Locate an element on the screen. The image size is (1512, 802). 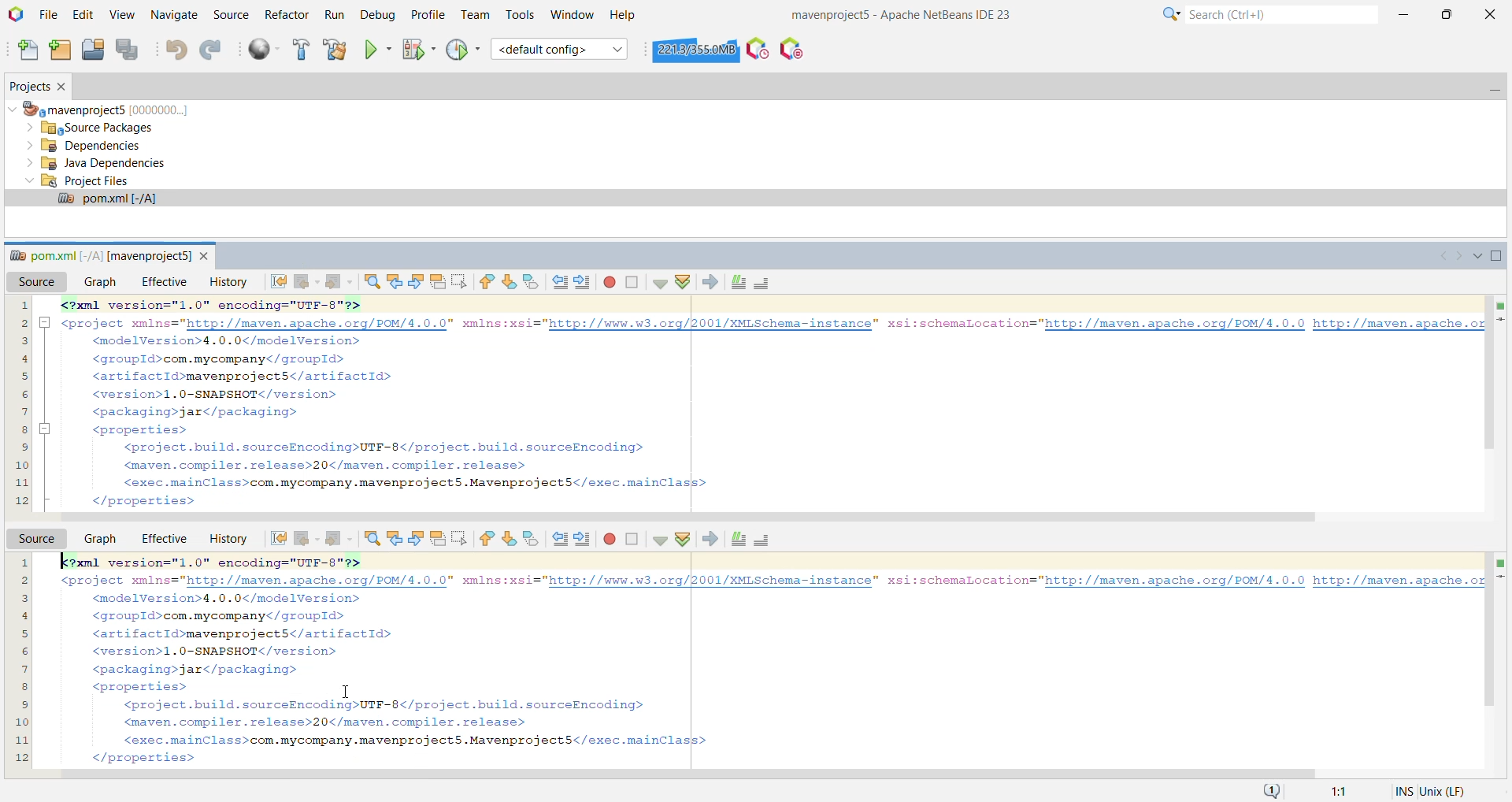
No errors is located at coordinates (1497, 562).